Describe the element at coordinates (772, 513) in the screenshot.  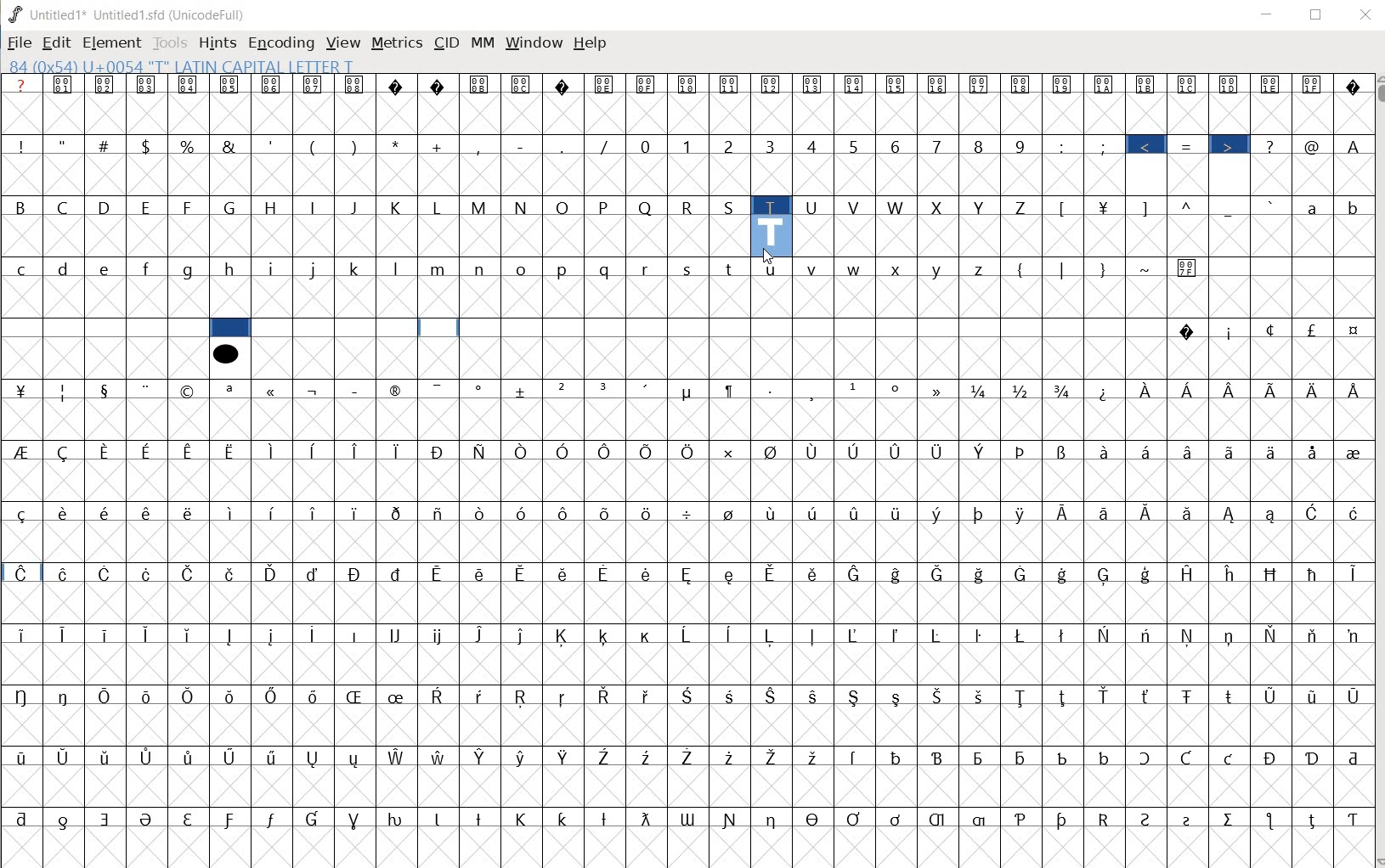
I see `Symbol` at that location.